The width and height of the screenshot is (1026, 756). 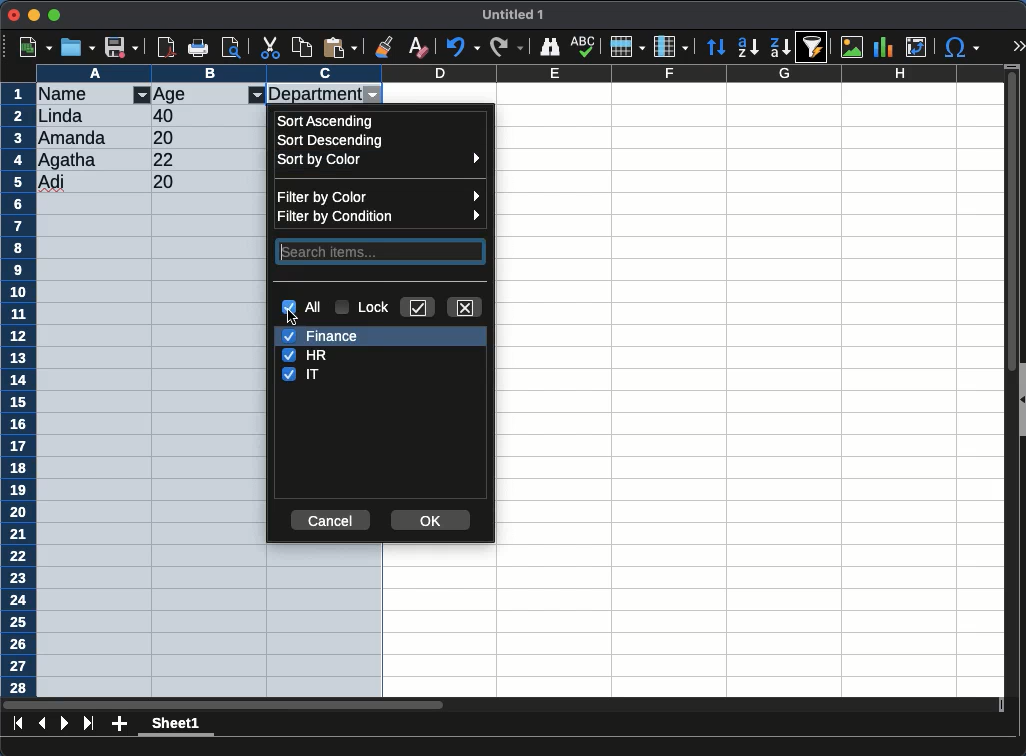 I want to click on sort by color, so click(x=378, y=162).